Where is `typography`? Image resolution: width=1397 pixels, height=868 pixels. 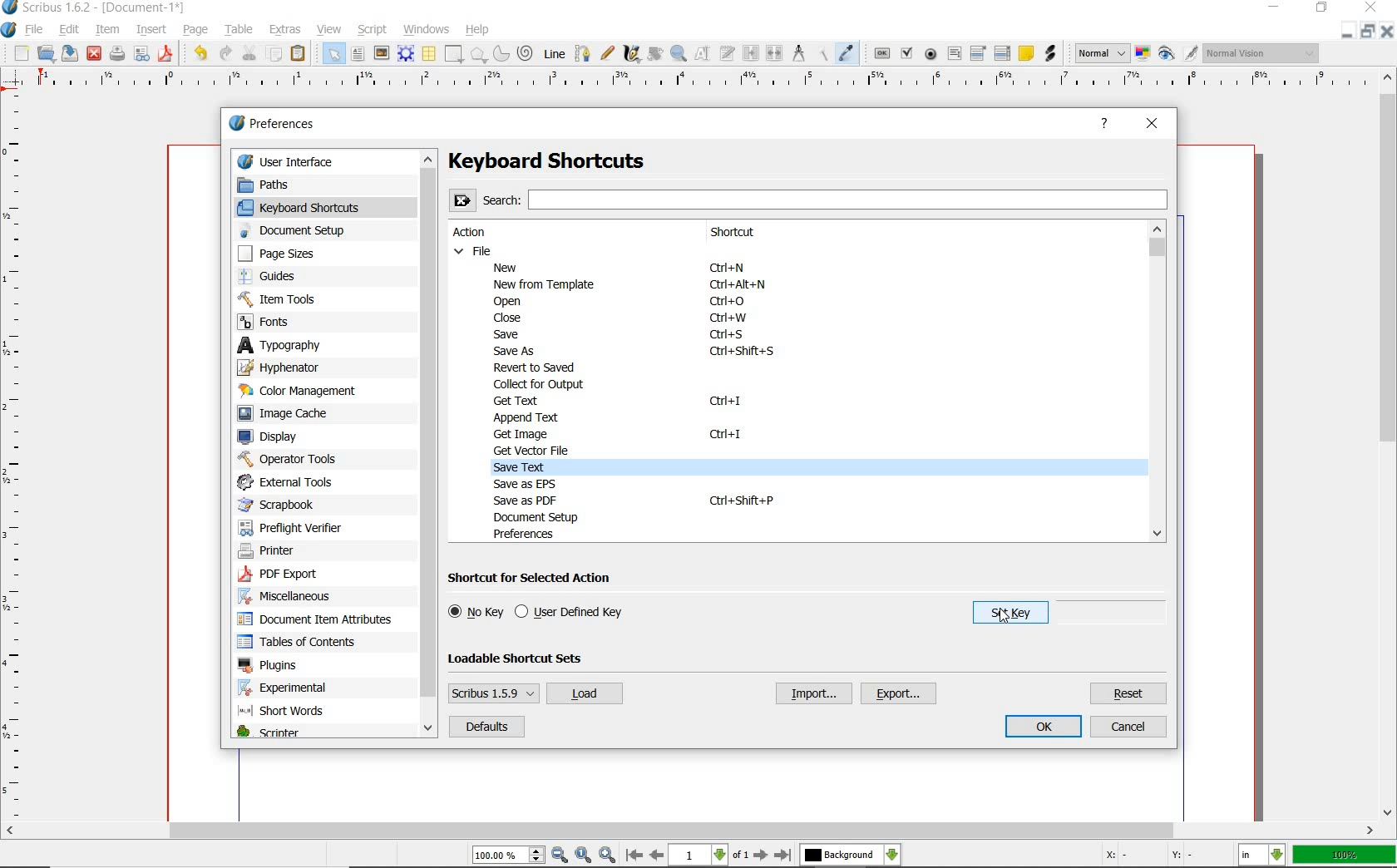 typography is located at coordinates (294, 345).